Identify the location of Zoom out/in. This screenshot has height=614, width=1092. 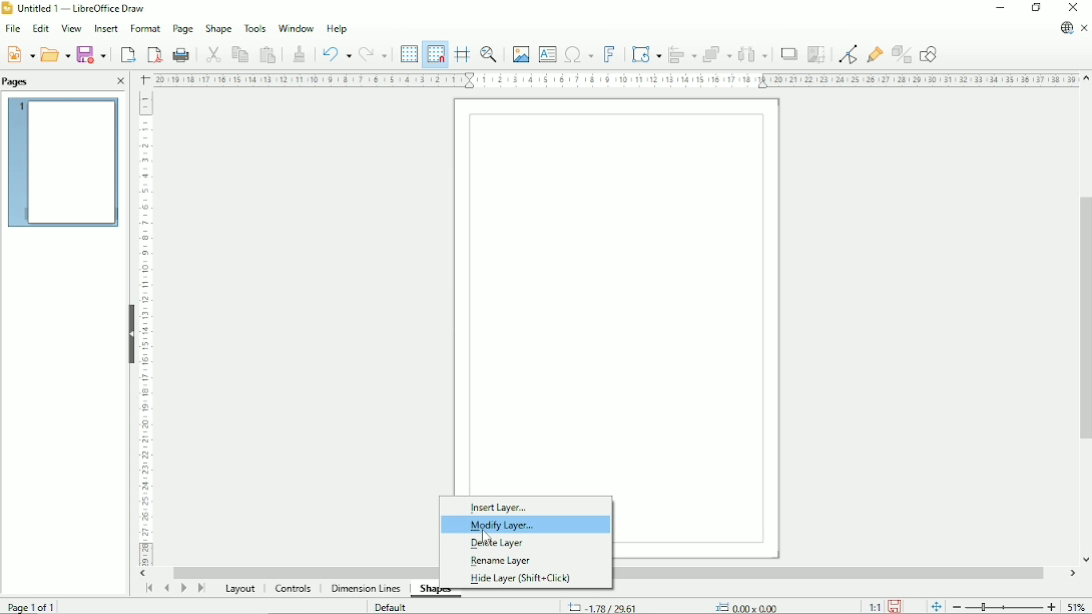
(1004, 607).